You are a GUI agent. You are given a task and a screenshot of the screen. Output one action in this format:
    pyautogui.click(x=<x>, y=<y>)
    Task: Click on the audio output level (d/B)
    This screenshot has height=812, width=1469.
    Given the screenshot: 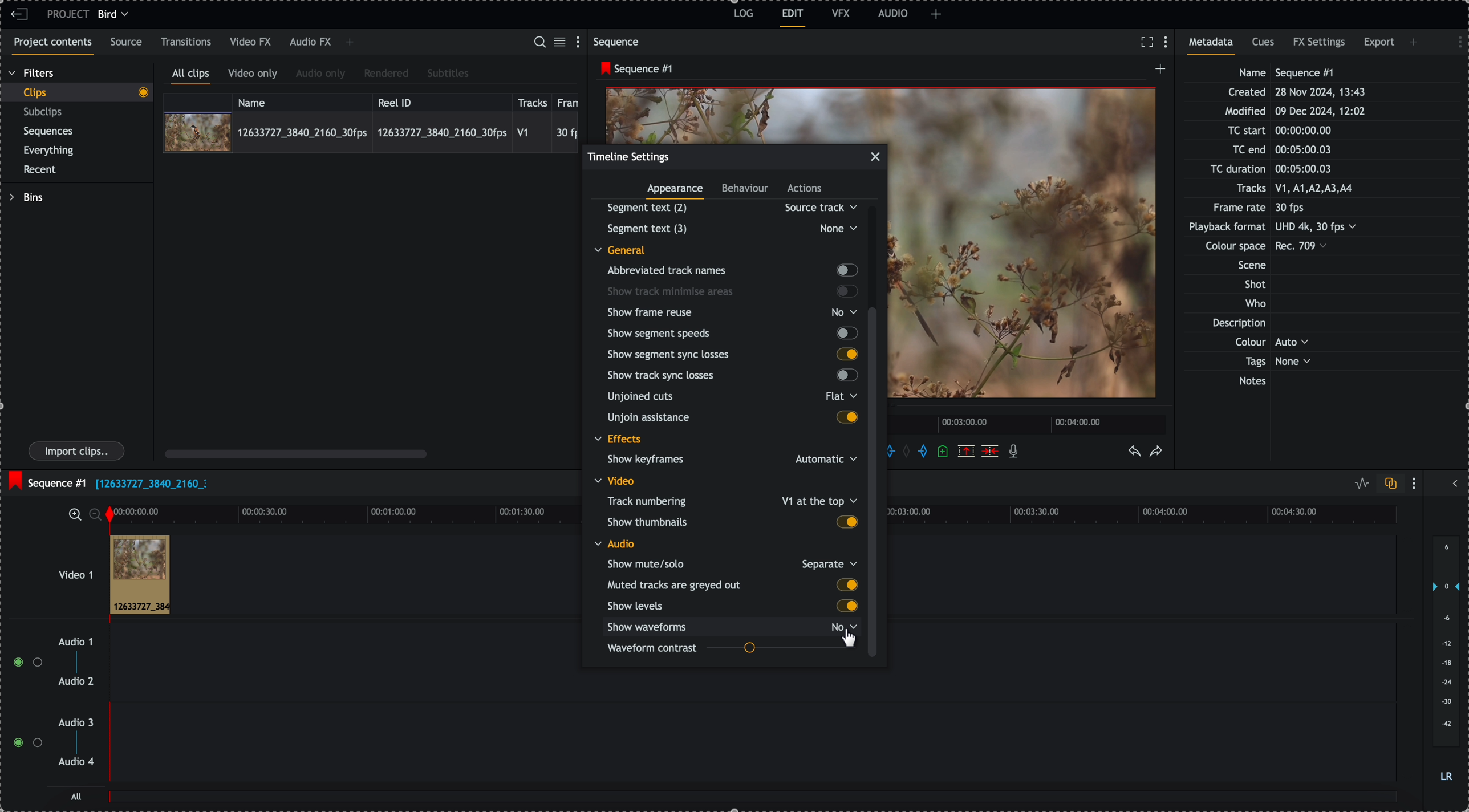 What is the action you would take?
    pyautogui.click(x=1445, y=660)
    